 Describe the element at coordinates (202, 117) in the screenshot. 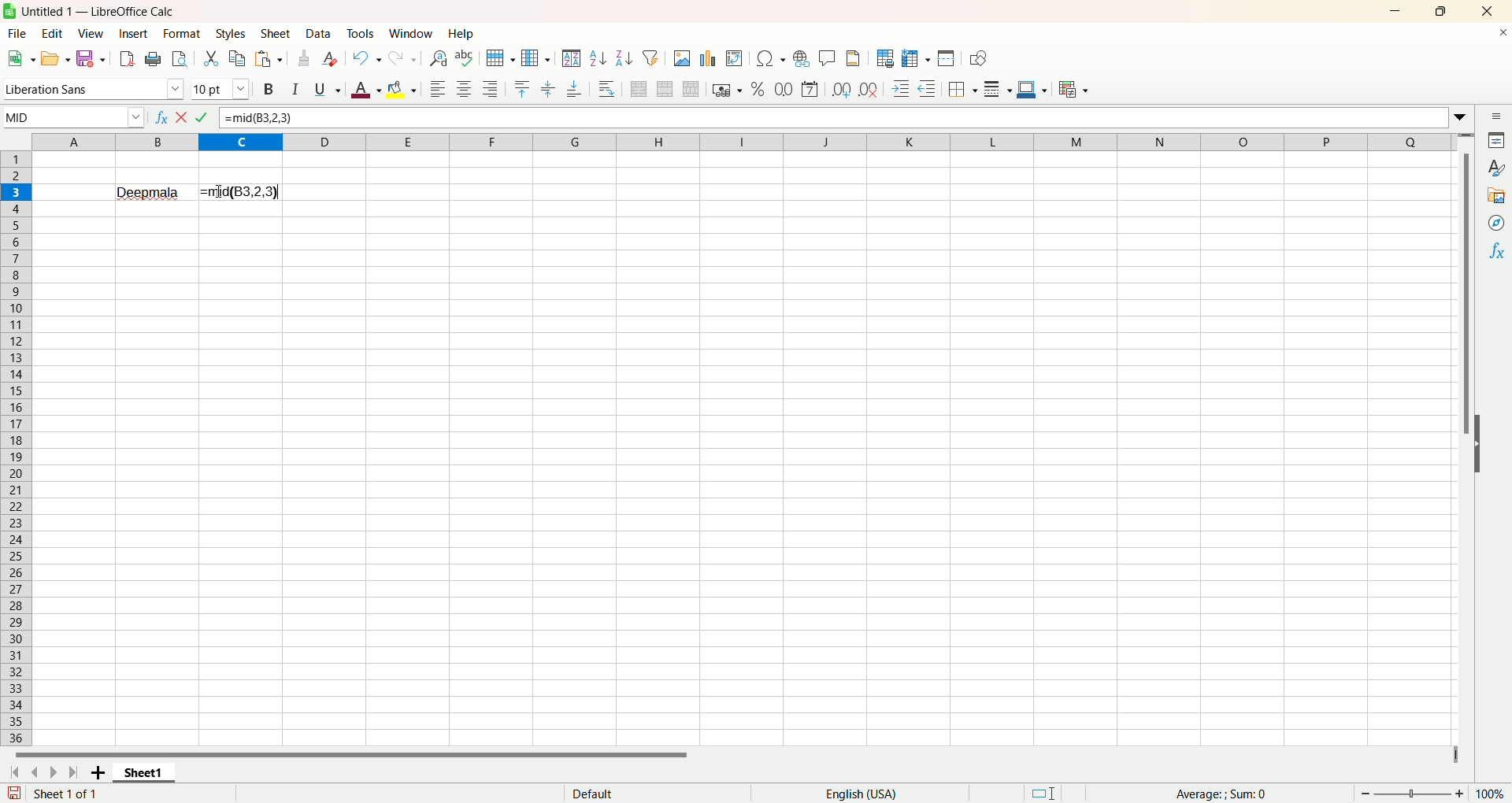

I see `Formula` at that location.